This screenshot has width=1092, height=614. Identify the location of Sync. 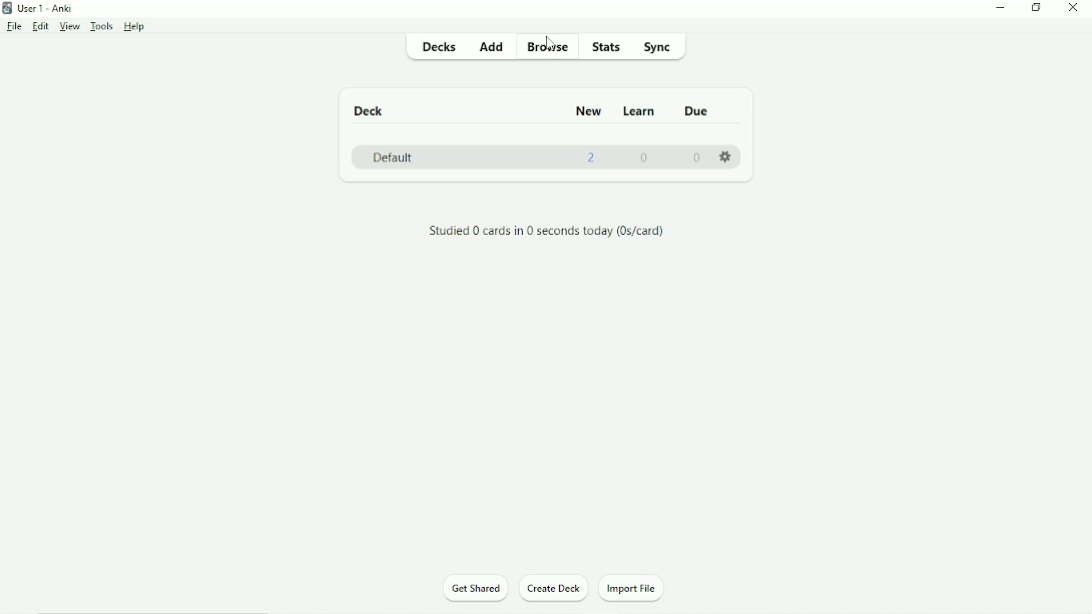
(658, 47).